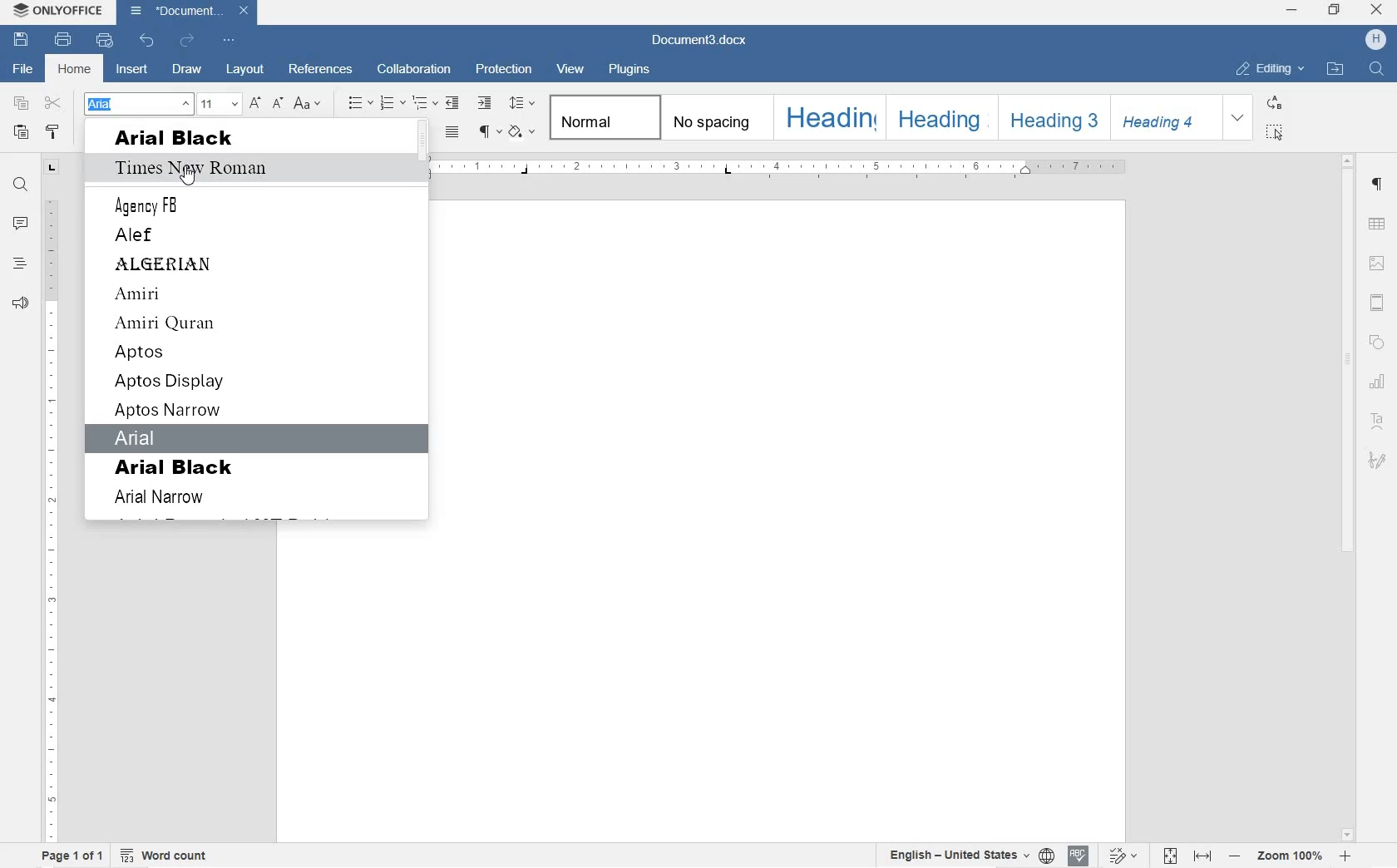 Image resolution: width=1397 pixels, height=868 pixels. I want to click on ZOOM IN OR OUT, so click(1289, 854).